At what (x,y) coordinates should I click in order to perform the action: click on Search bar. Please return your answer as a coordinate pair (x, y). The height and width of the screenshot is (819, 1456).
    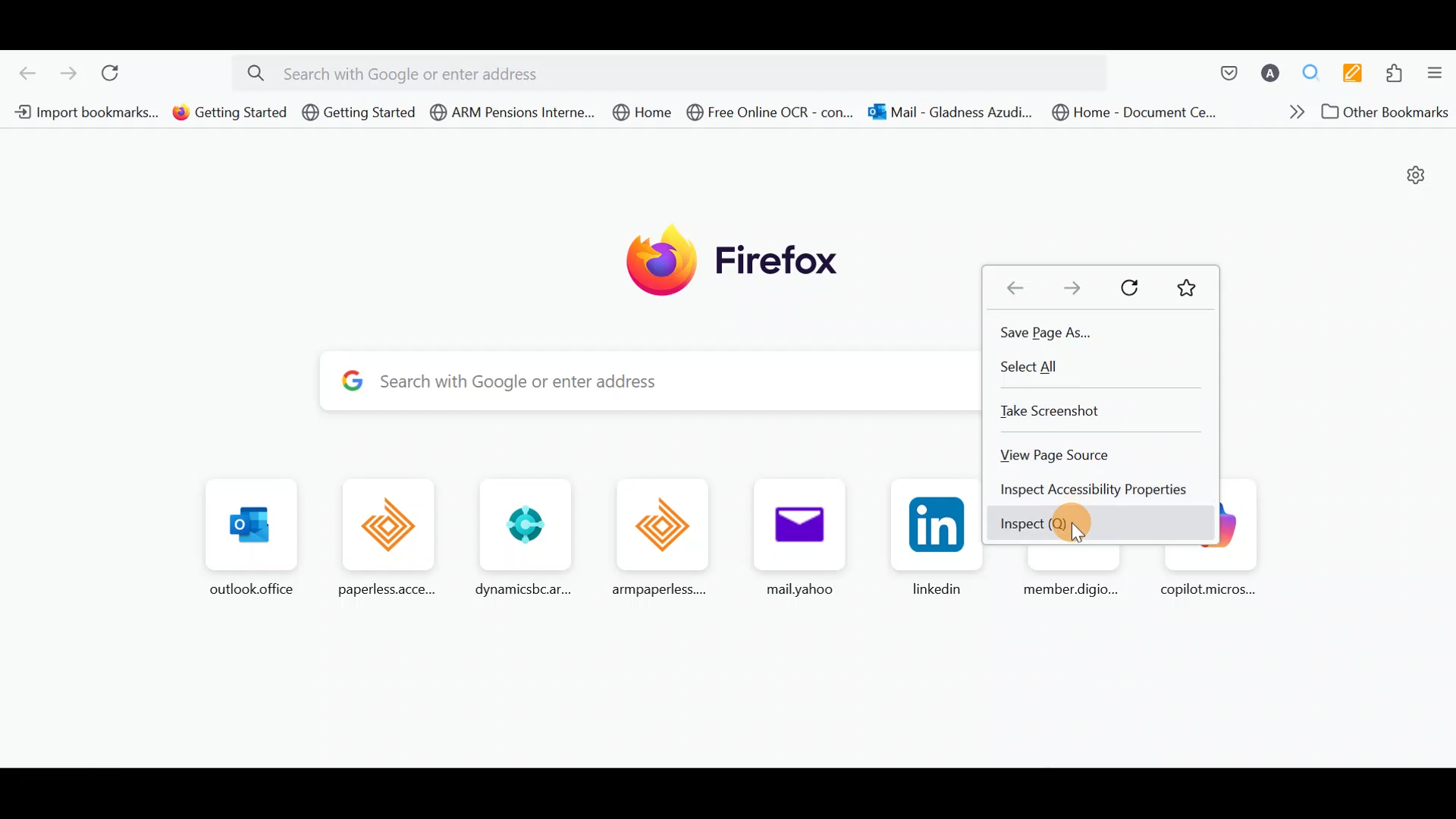
    Looking at the image, I should click on (680, 71).